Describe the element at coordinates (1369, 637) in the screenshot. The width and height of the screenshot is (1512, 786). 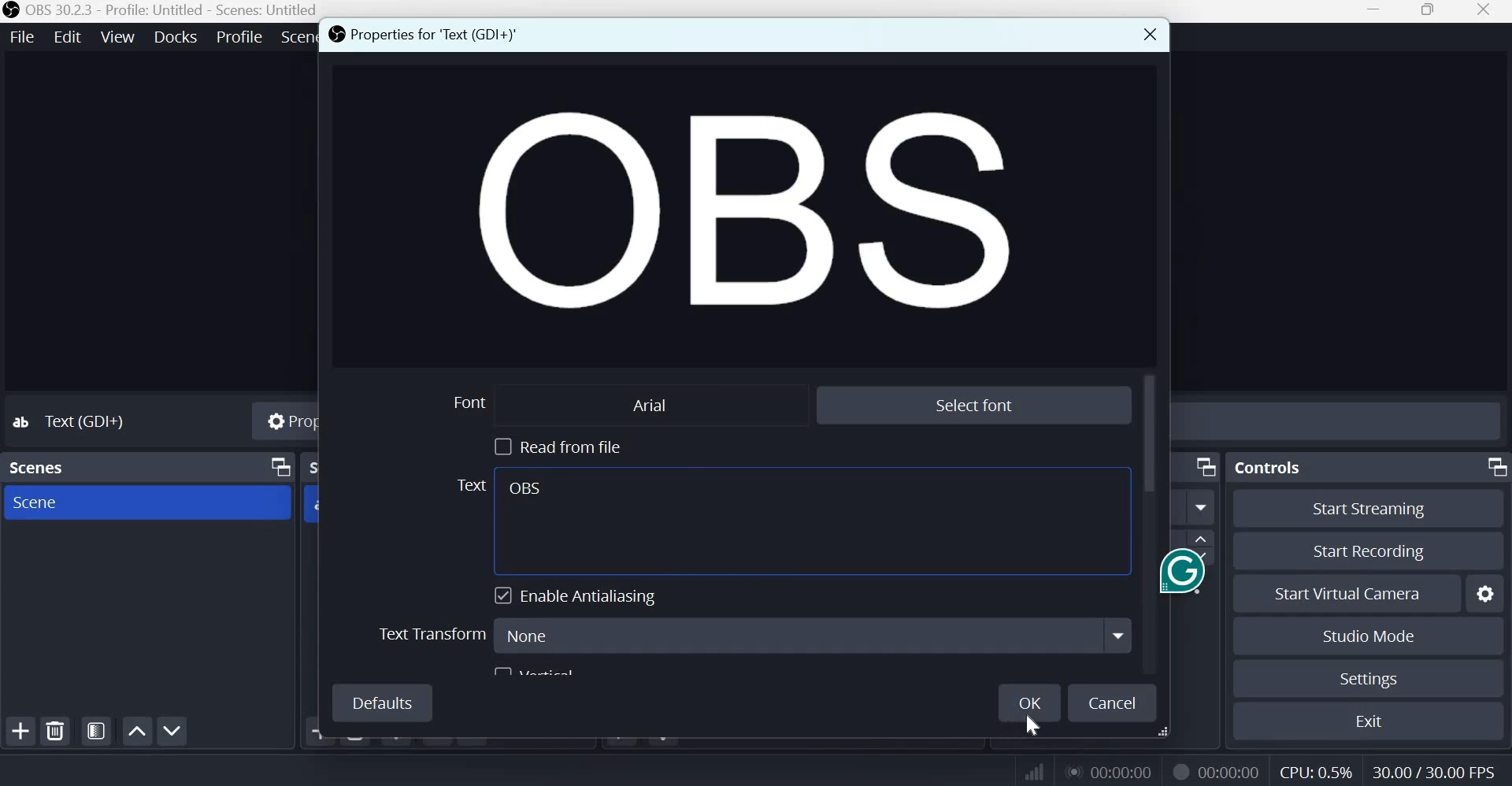
I see `Studio mode` at that location.